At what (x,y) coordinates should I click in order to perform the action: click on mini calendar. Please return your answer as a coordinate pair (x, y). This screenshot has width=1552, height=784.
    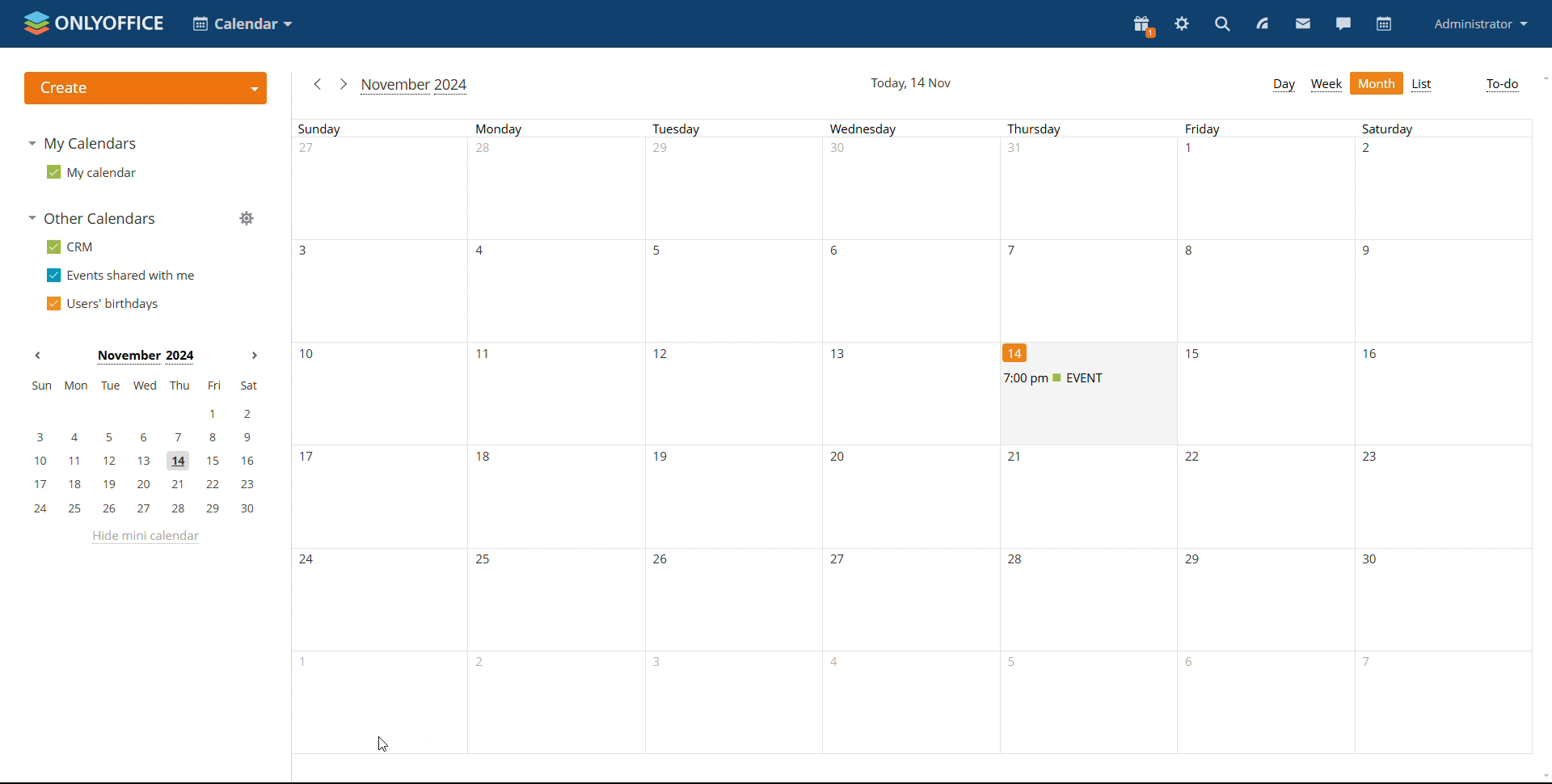
    Looking at the image, I should click on (145, 448).